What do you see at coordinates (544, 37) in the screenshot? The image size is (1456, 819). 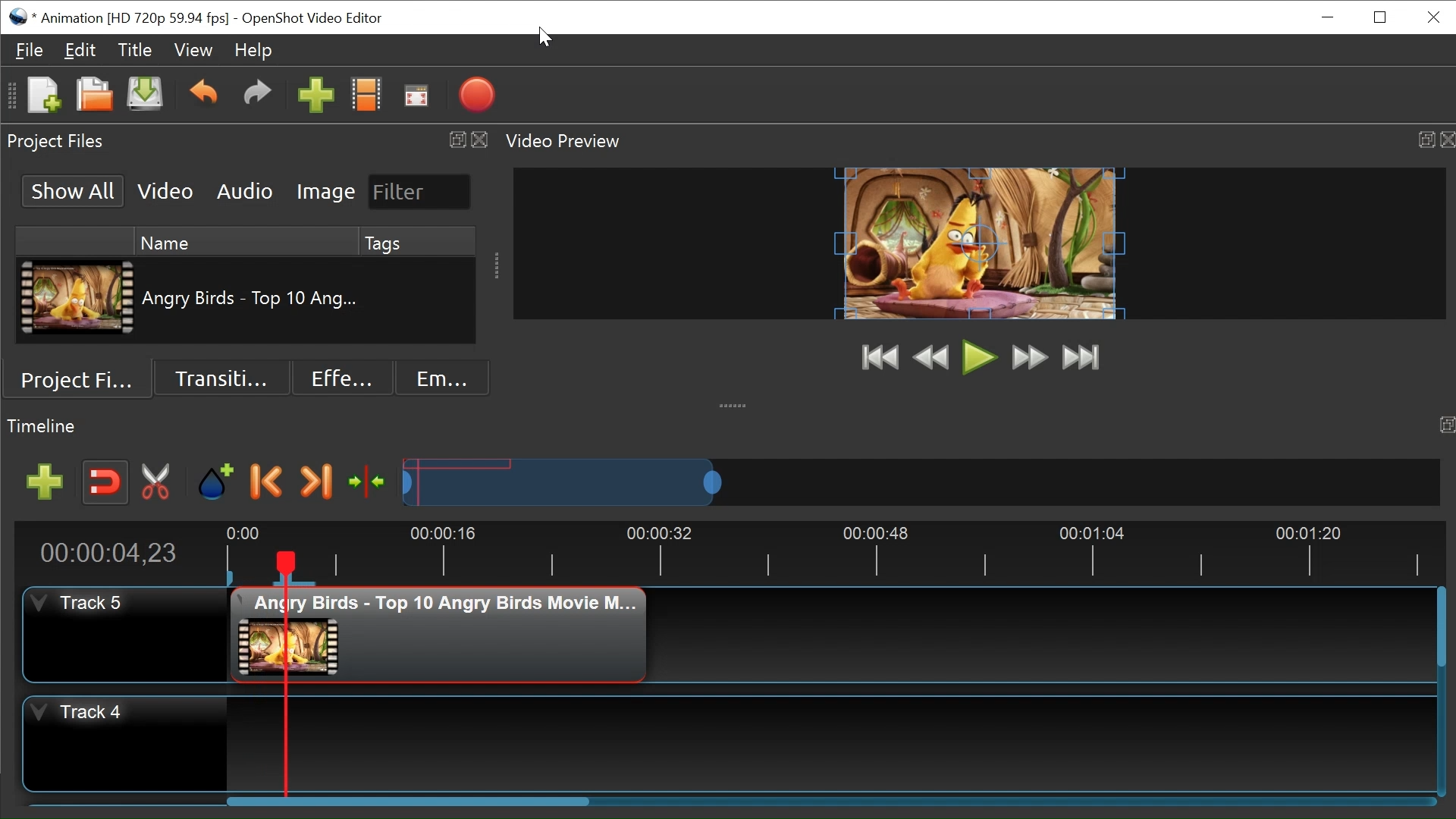 I see `Cursor` at bounding box center [544, 37].